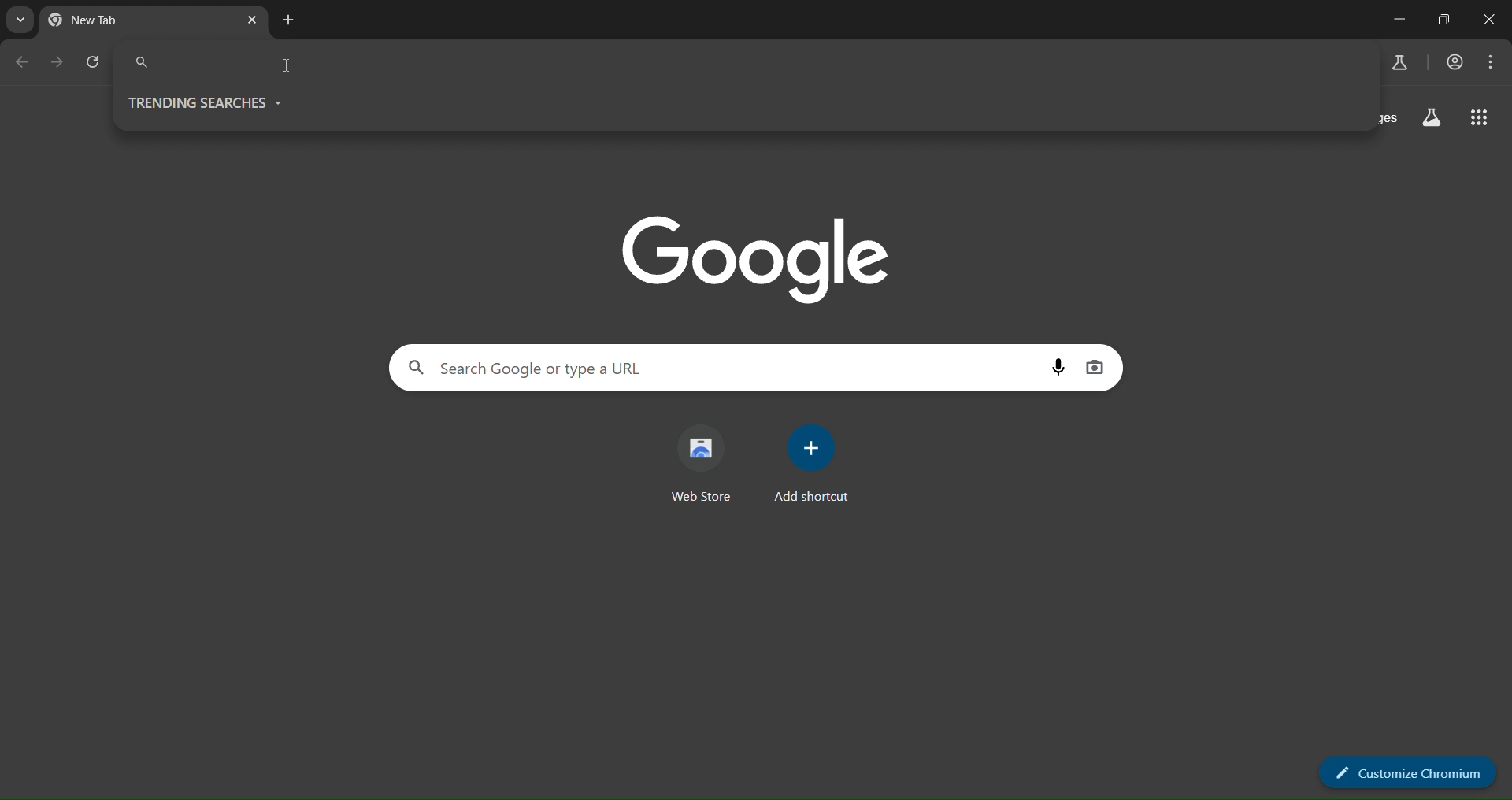 This screenshot has height=800, width=1512. I want to click on search tabs, so click(21, 20).